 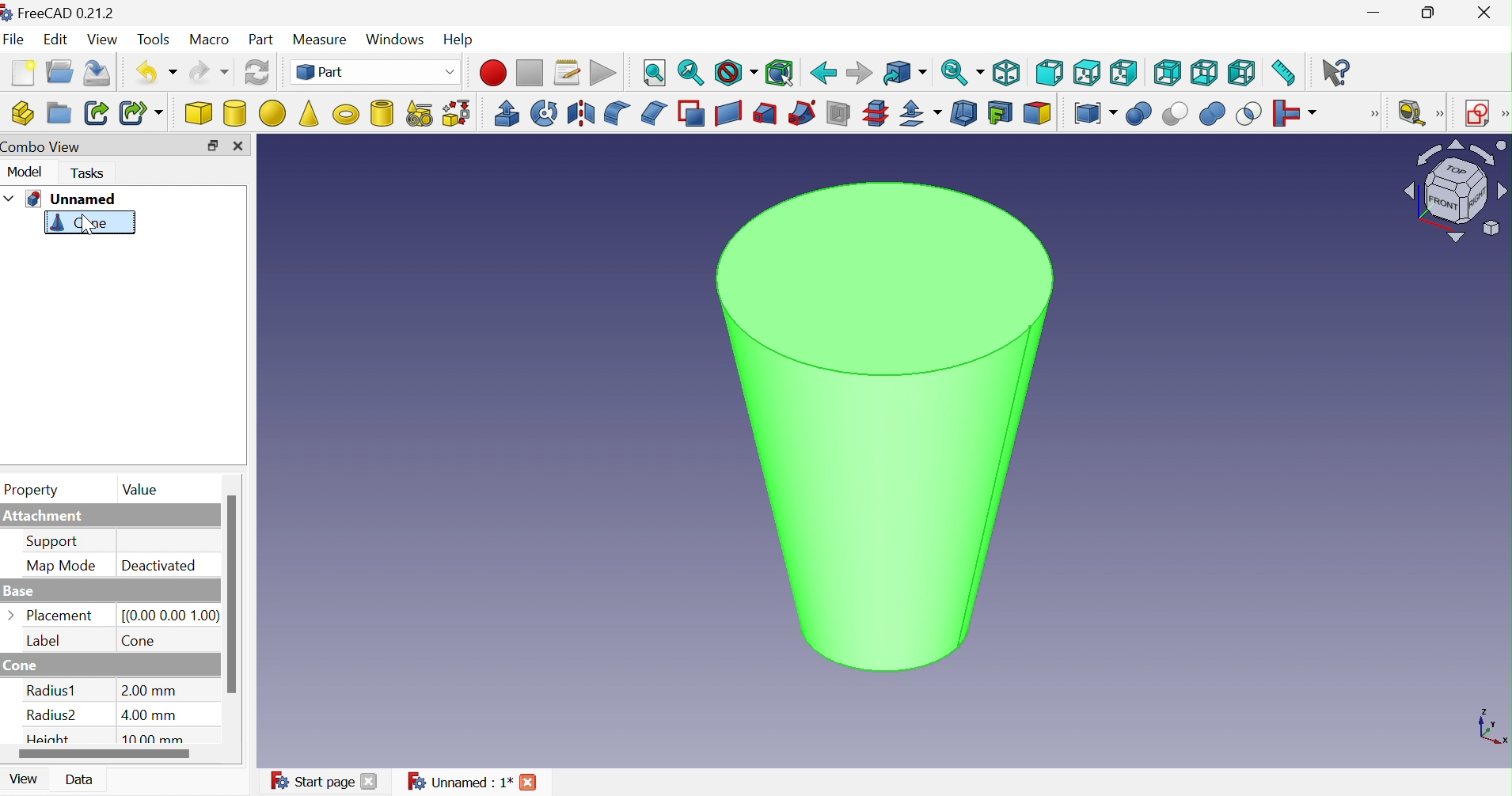 What do you see at coordinates (27, 665) in the screenshot?
I see `Cone` at bounding box center [27, 665].